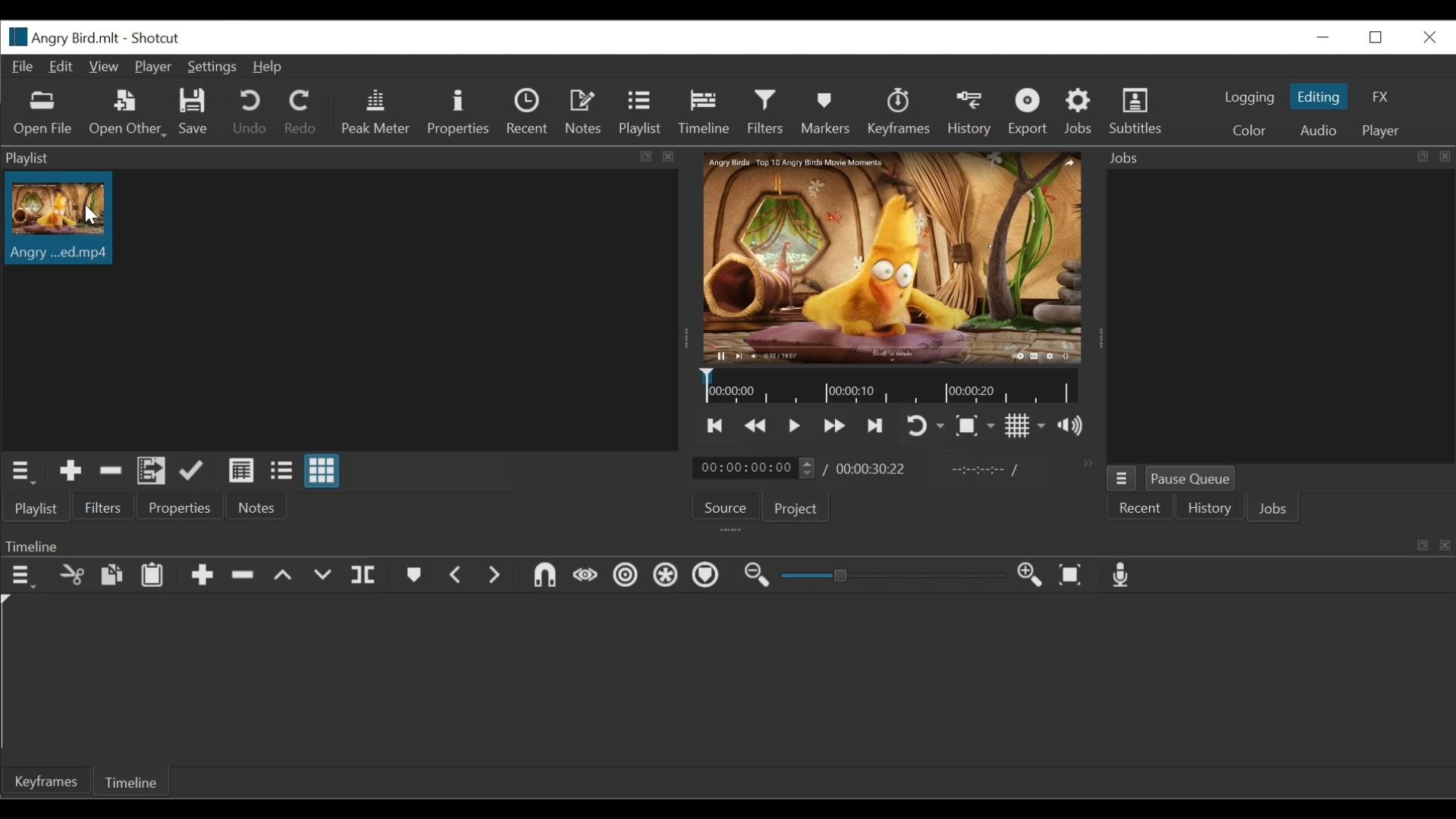 This screenshot has width=1456, height=819. Describe the element at coordinates (343, 157) in the screenshot. I see `Playlist Panel` at that location.